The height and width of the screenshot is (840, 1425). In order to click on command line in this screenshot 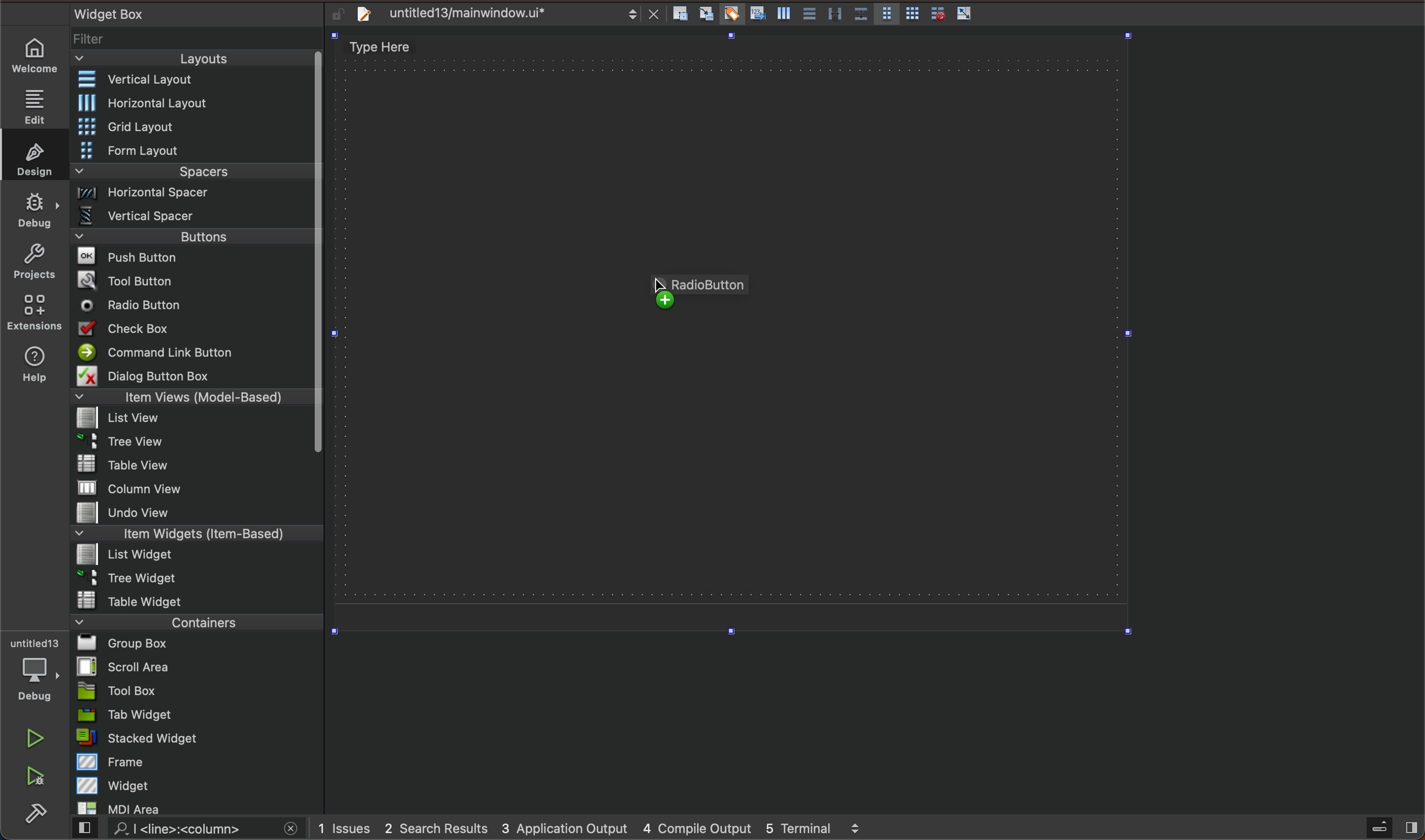, I will do `click(192, 353)`.